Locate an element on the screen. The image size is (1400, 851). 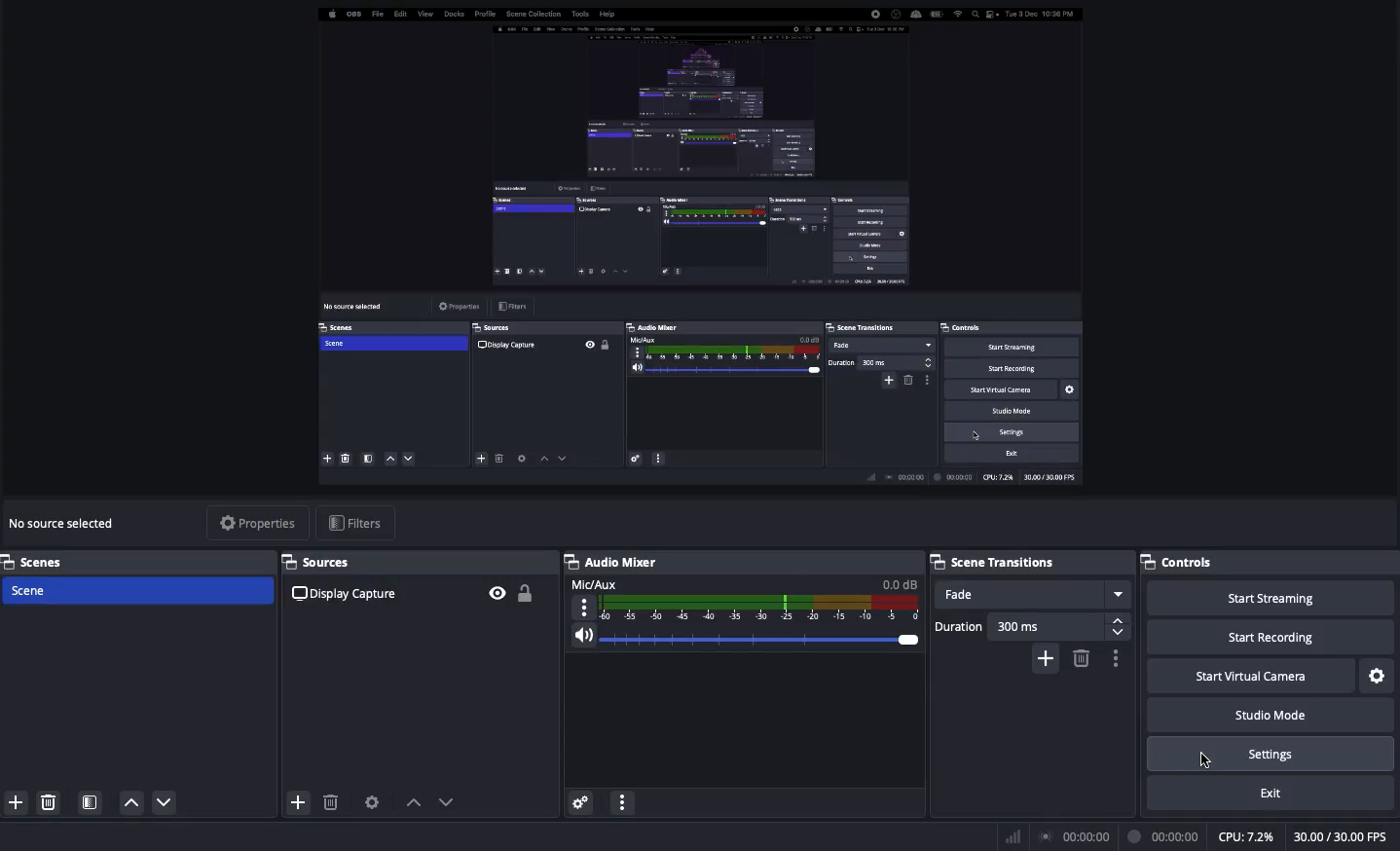
Scene transitions is located at coordinates (996, 562).